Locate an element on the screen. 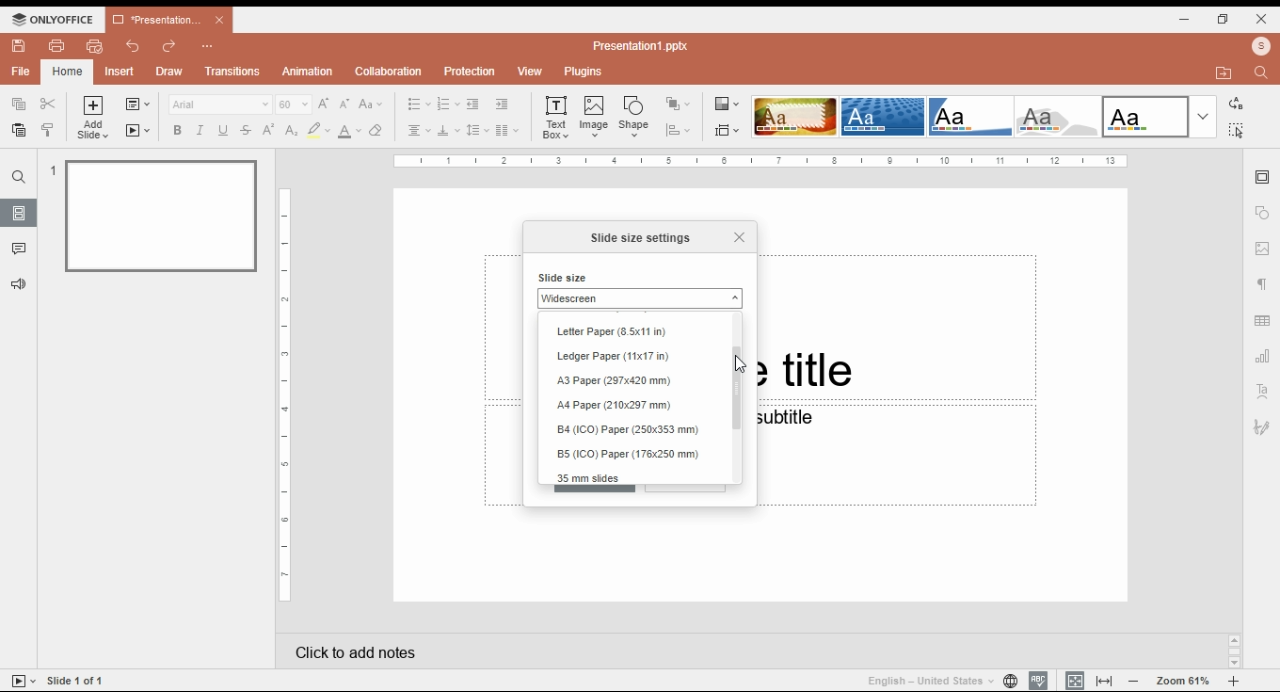 This screenshot has width=1280, height=692. bullets is located at coordinates (419, 104).